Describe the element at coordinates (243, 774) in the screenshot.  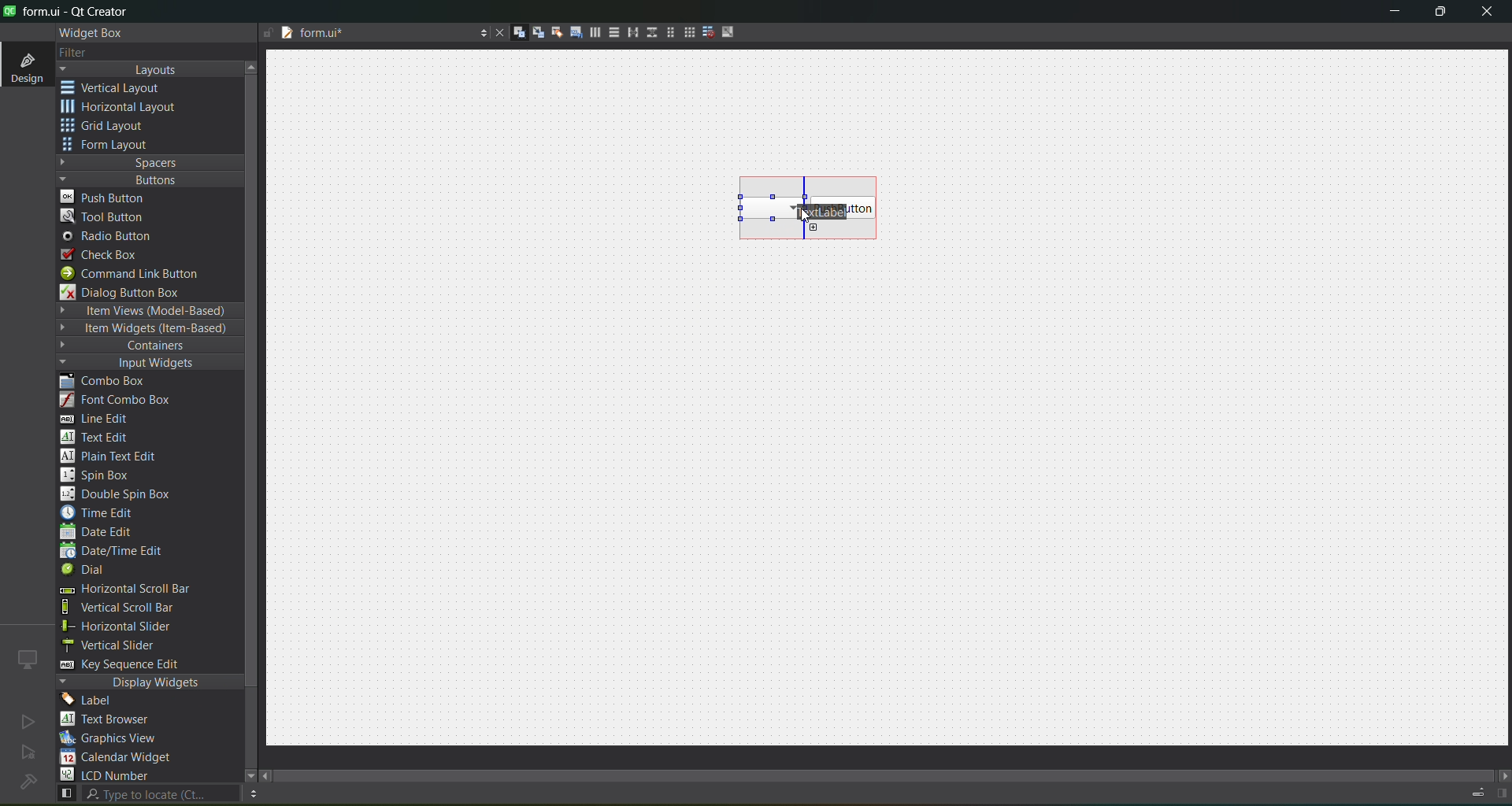
I see `move down` at that location.